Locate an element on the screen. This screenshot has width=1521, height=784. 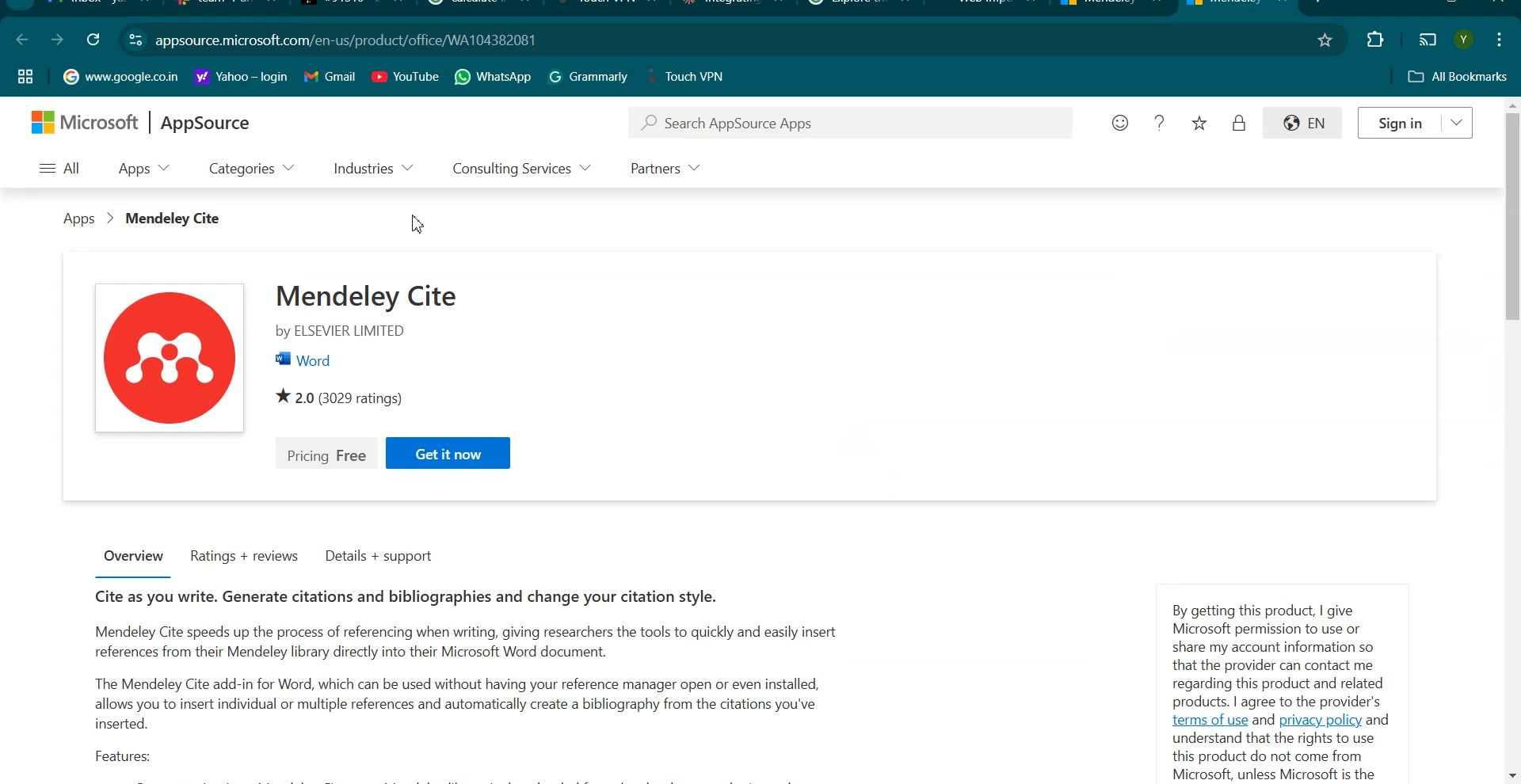
mendeley cite  is located at coordinates (371, 295).